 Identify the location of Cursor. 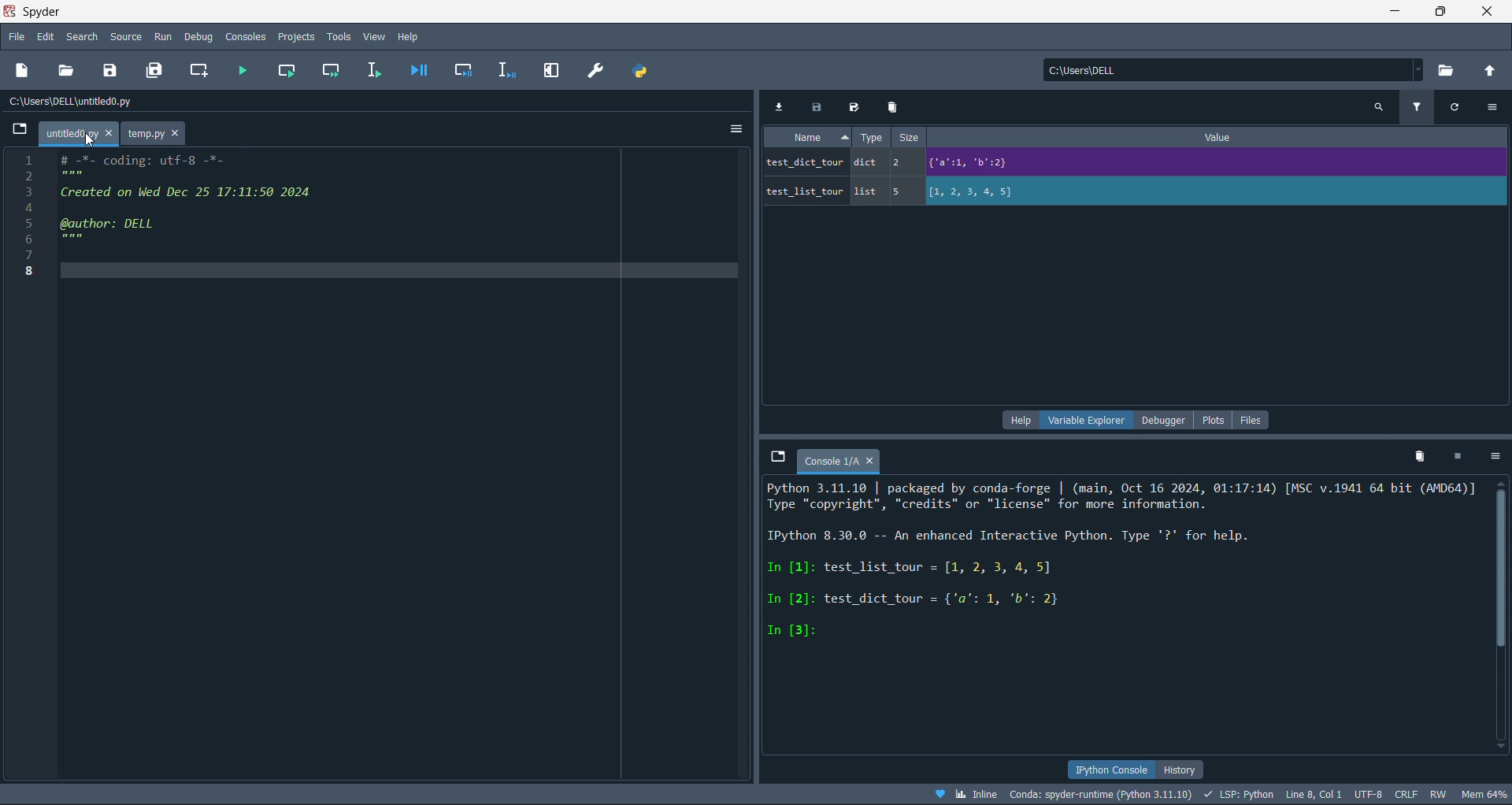
(91, 142).